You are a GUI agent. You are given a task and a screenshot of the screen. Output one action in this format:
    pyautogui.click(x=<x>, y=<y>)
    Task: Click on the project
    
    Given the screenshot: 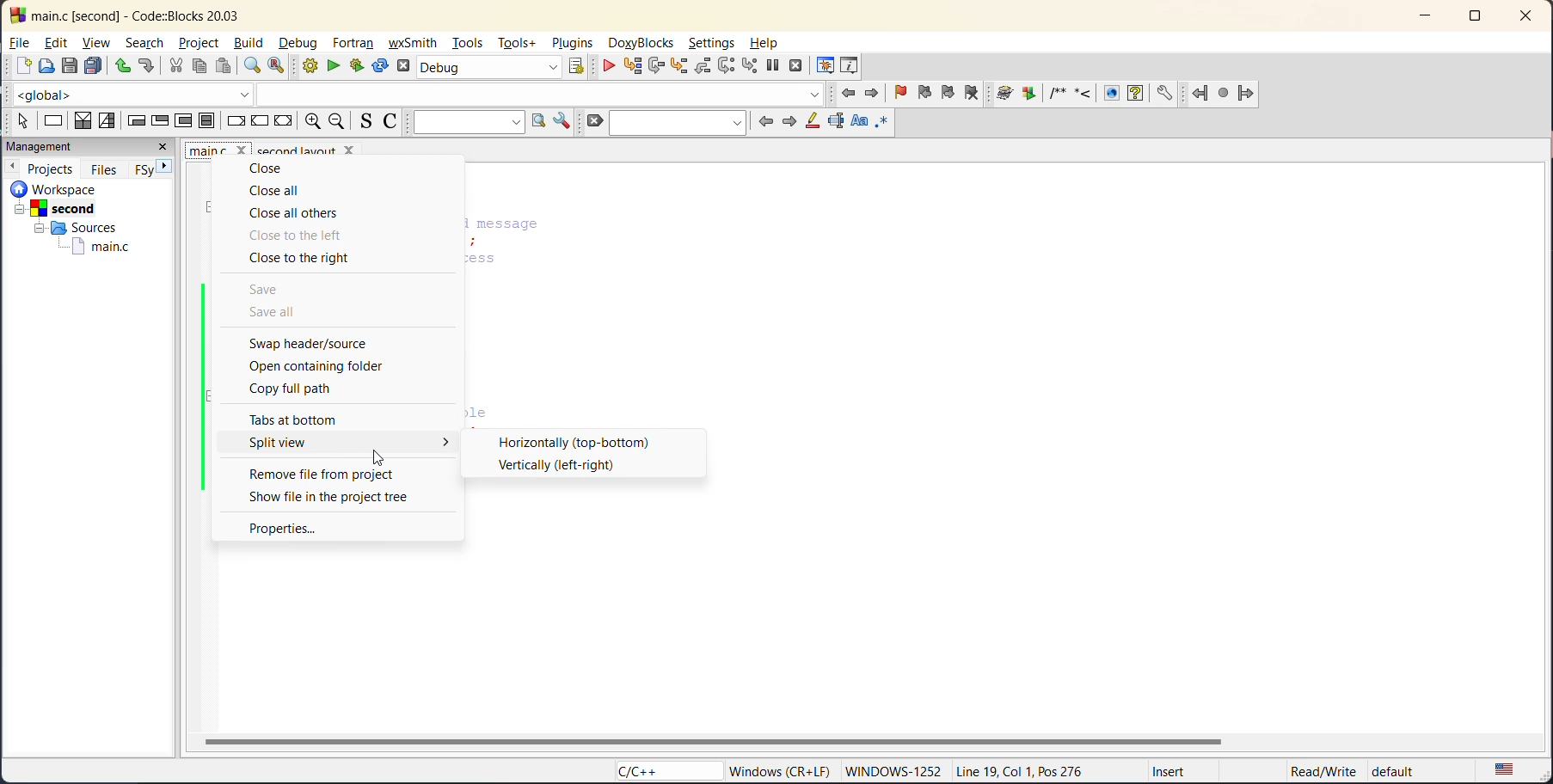 What is the action you would take?
    pyautogui.click(x=203, y=45)
    